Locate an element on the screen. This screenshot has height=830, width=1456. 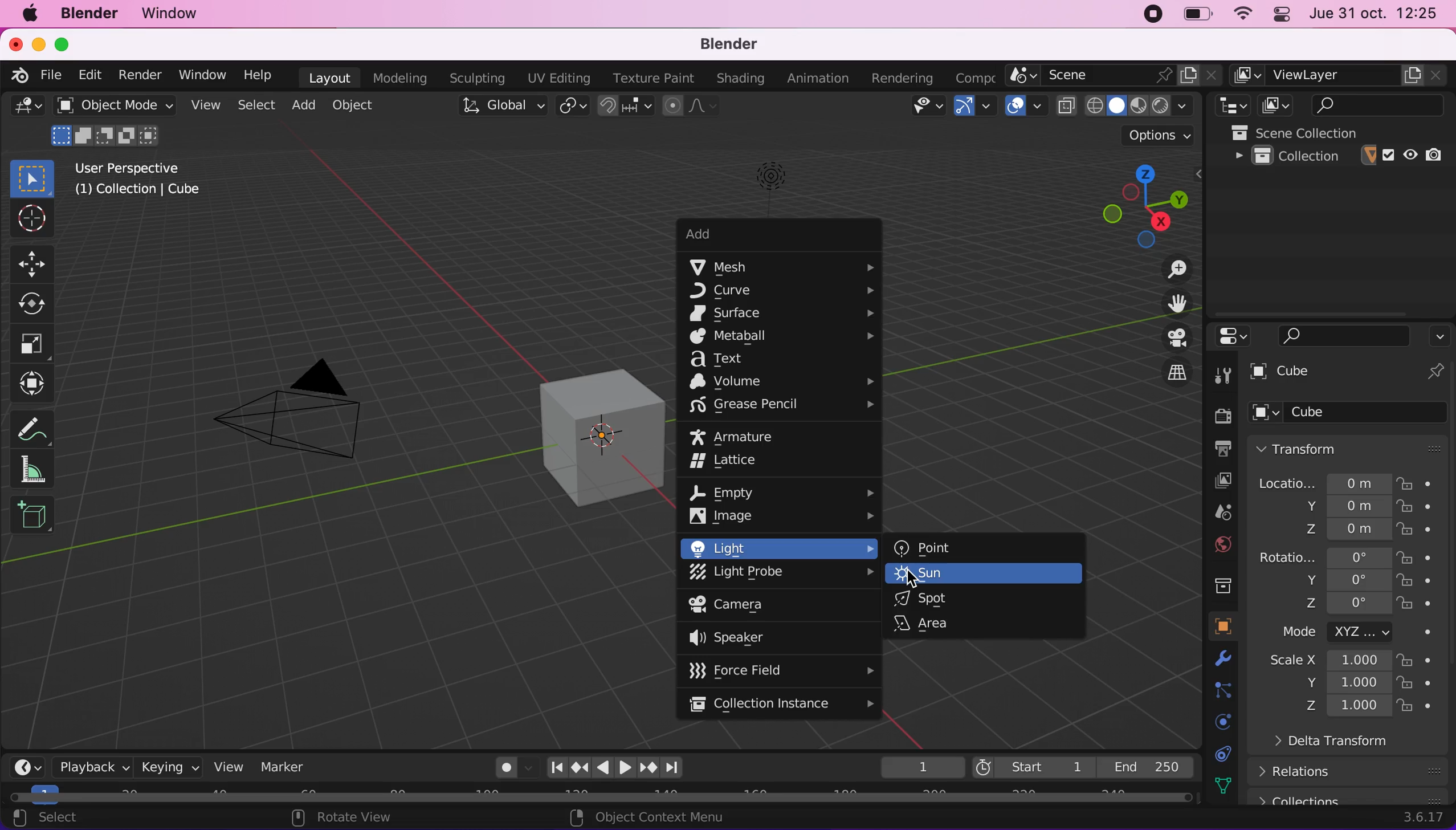
object context menu is located at coordinates (642, 817).